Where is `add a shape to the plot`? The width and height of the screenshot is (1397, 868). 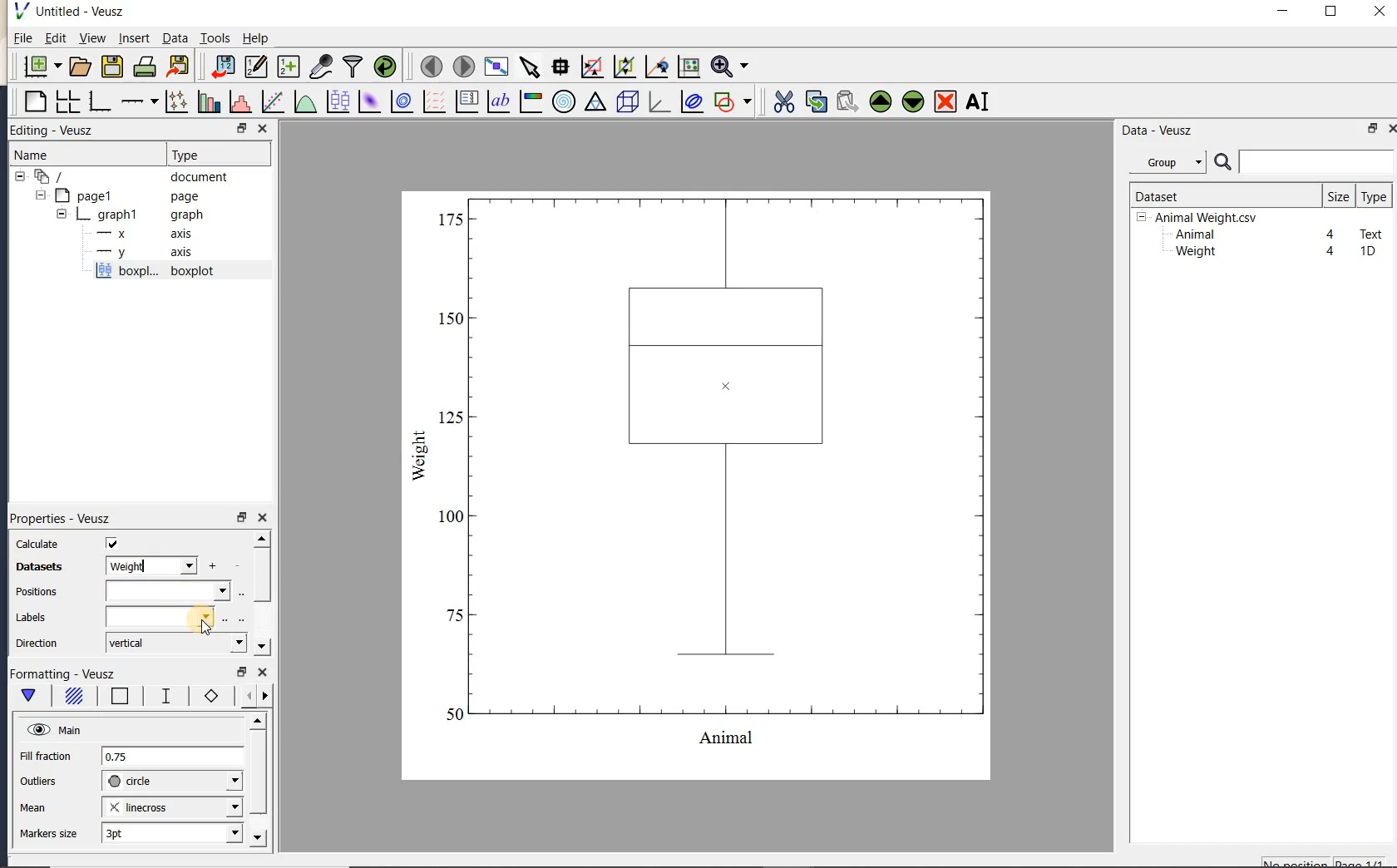 add a shape to the plot is located at coordinates (732, 101).